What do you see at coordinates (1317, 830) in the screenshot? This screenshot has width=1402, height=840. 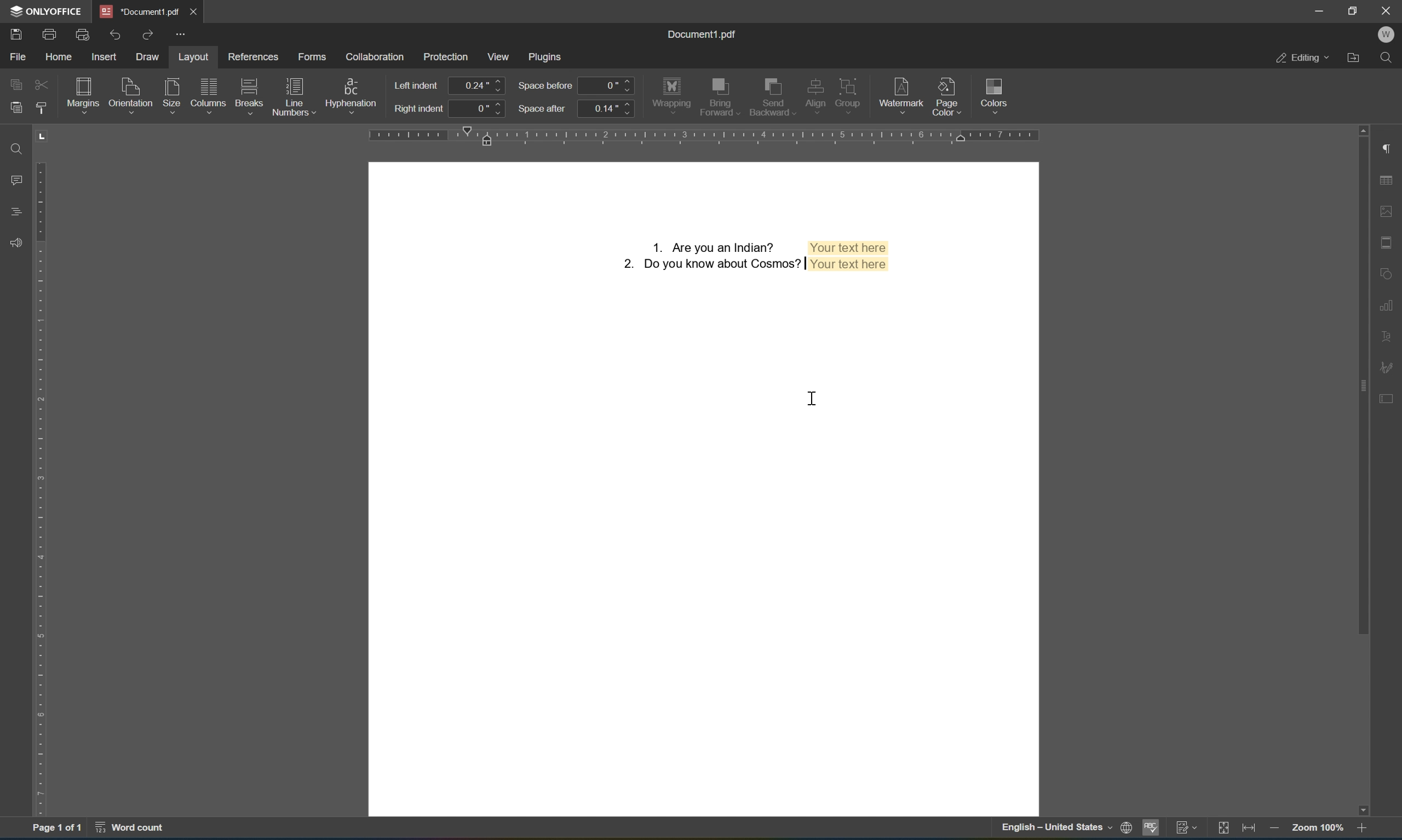 I see `zoom 100%` at bounding box center [1317, 830].